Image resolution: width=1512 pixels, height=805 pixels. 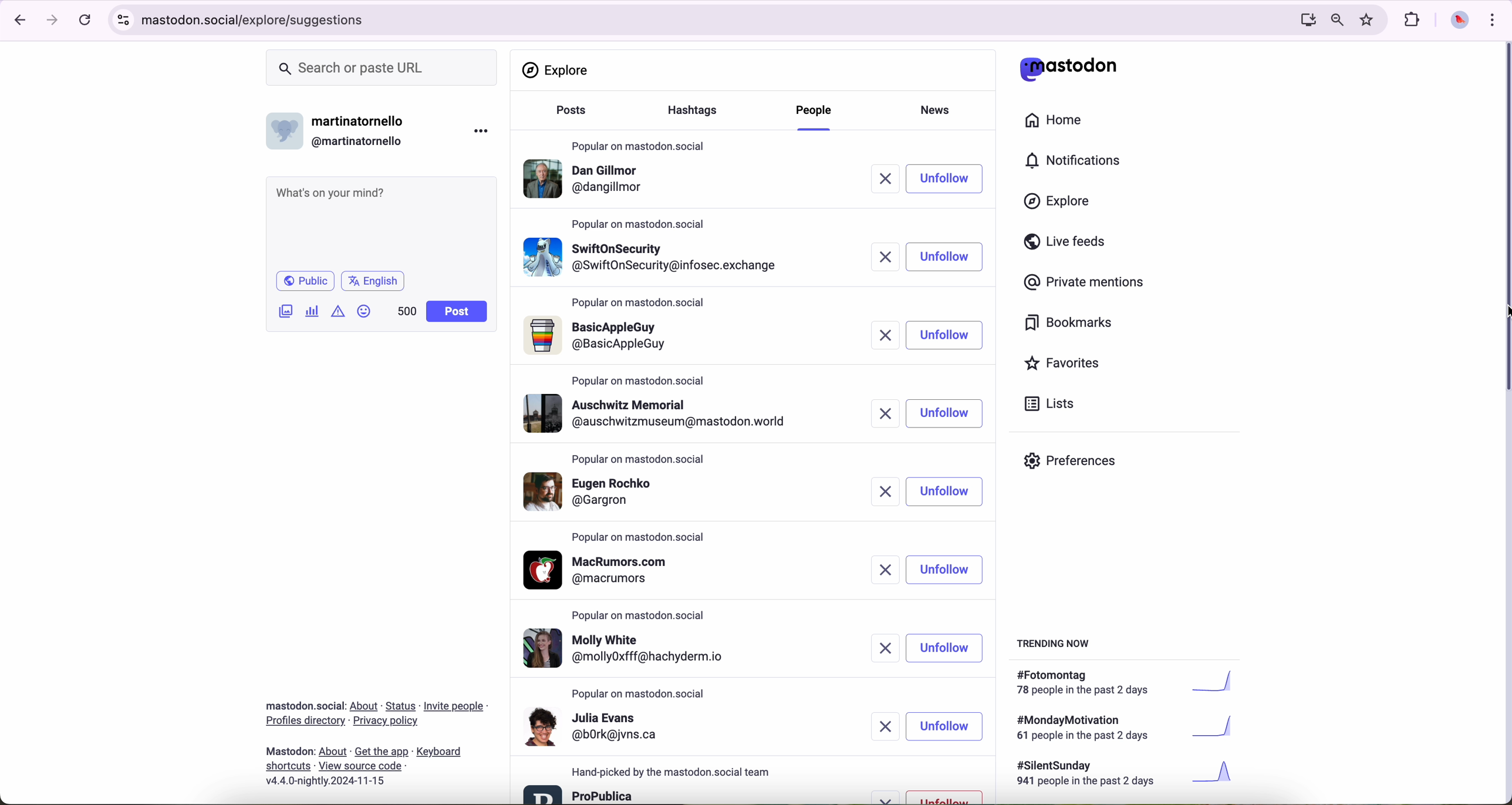 What do you see at coordinates (1067, 365) in the screenshot?
I see `favorites` at bounding box center [1067, 365].